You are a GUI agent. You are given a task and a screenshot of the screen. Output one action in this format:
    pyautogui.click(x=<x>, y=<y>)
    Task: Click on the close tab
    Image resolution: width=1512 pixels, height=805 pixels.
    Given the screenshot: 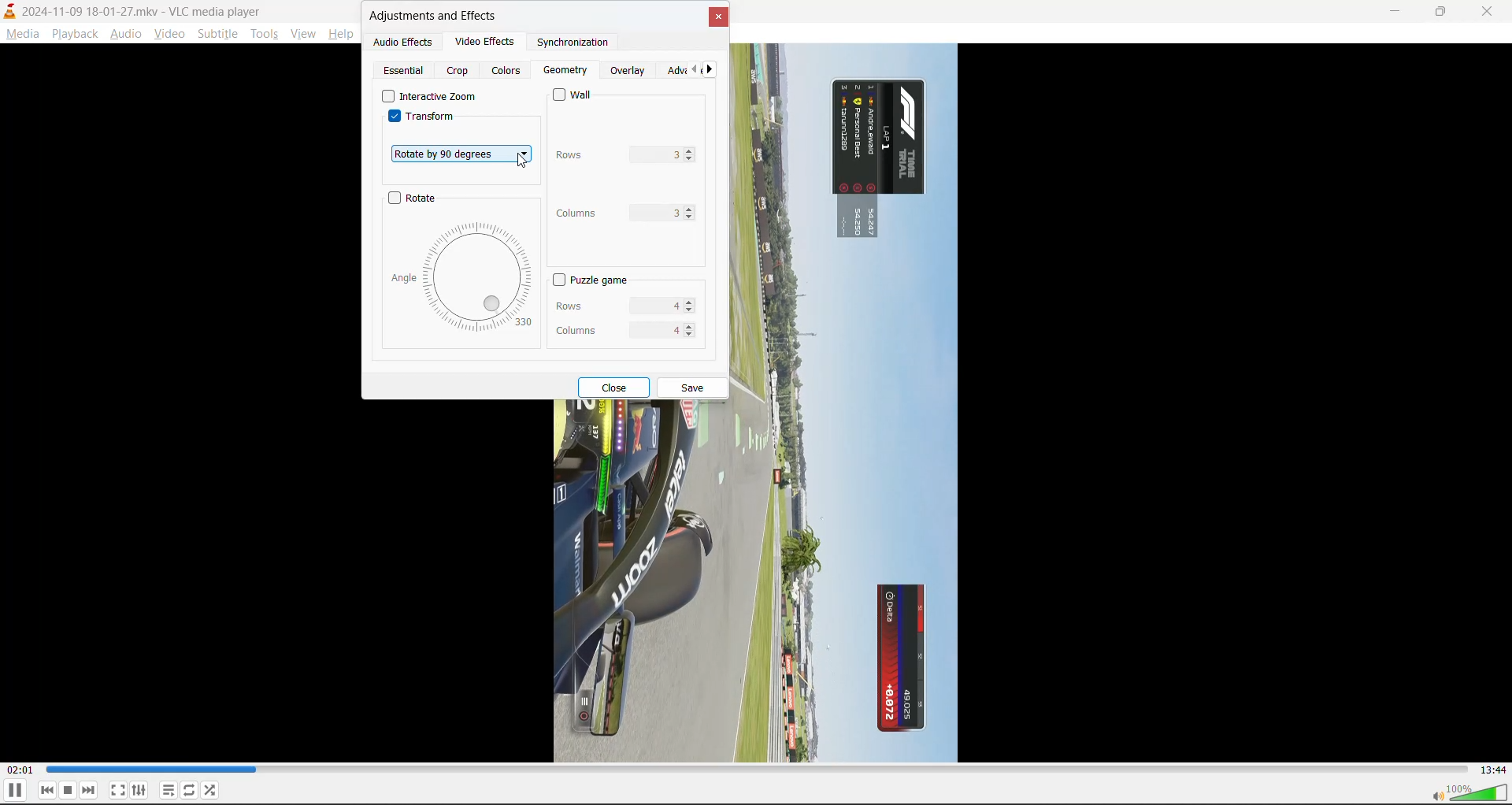 What is the action you would take?
    pyautogui.click(x=718, y=21)
    